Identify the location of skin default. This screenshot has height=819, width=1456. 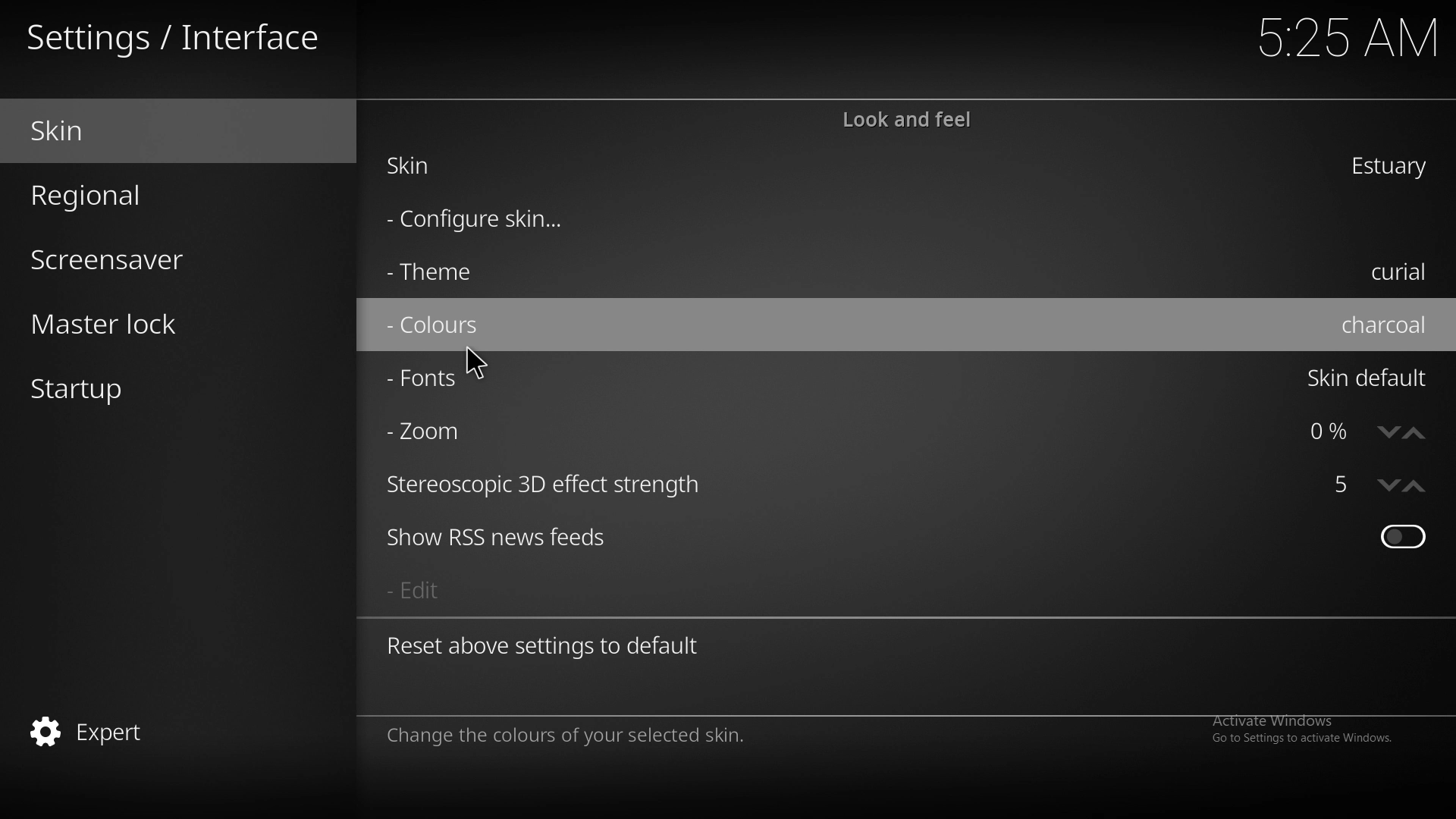
(1370, 378).